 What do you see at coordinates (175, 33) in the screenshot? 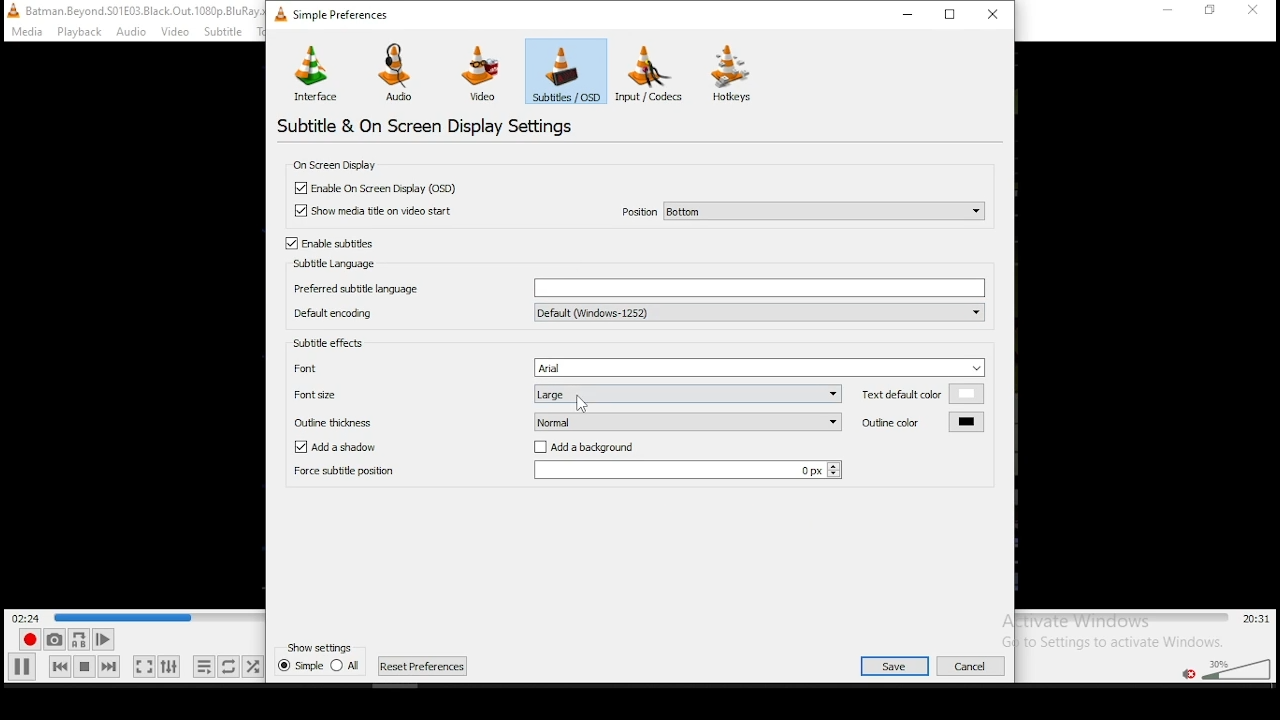
I see `video` at bounding box center [175, 33].